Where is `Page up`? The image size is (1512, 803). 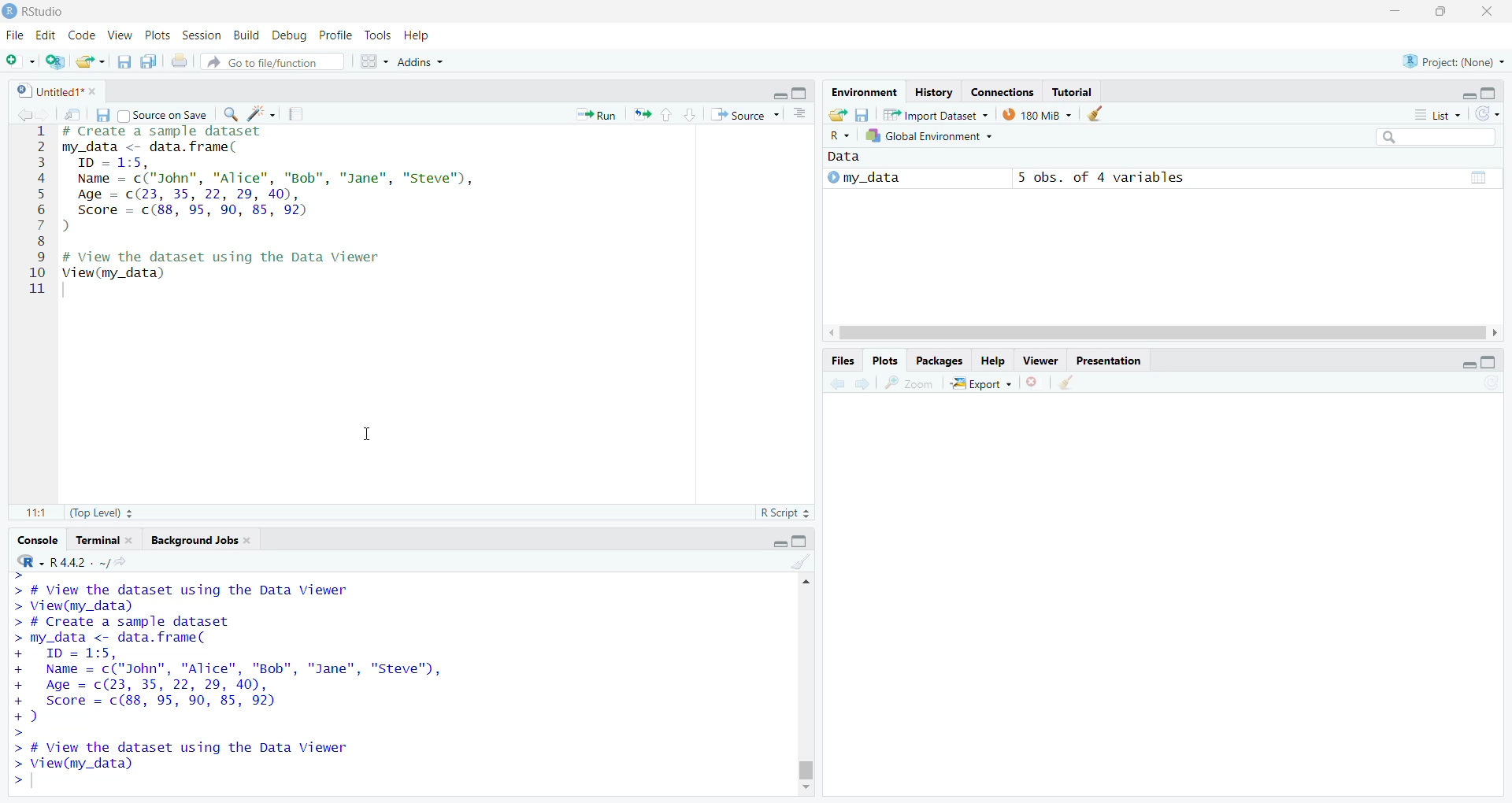 Page up is located at coordinates (667, 115).